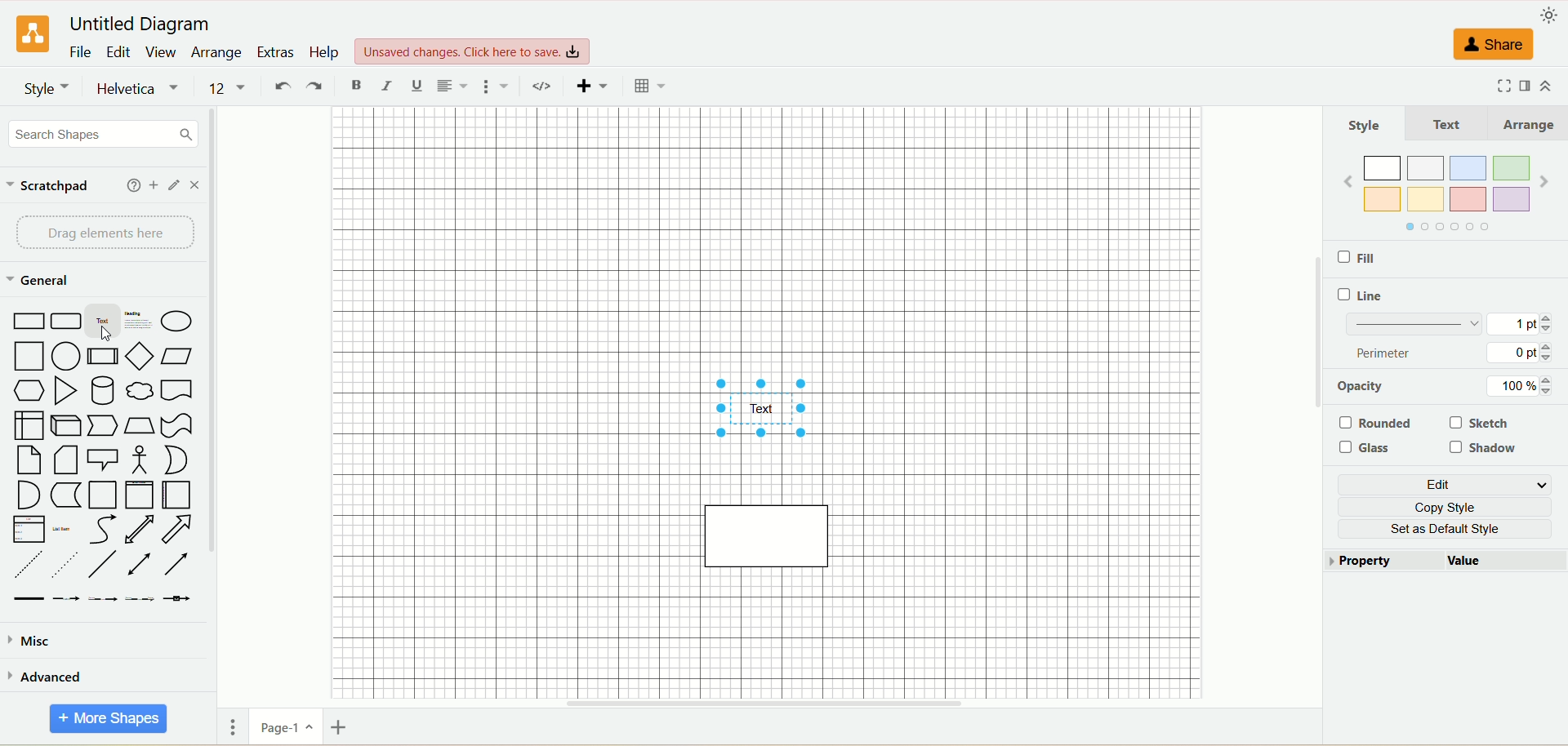 The image size is (1568, 746). Describe the element at coordinates (595, 87) in the screenshot. I see `insert` at that location.